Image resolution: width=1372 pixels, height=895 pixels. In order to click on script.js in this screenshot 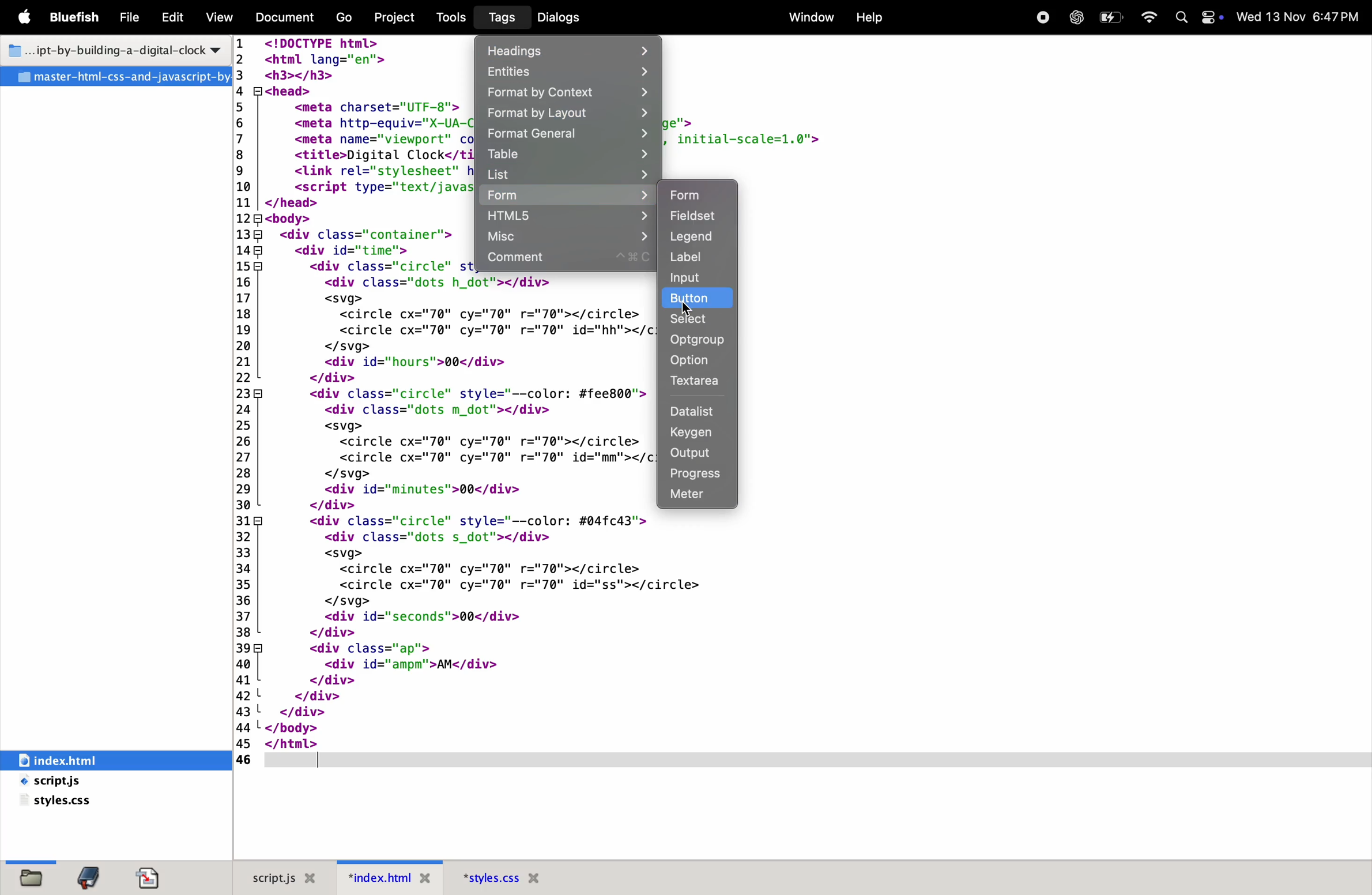, I will do `click(269, 877)`.